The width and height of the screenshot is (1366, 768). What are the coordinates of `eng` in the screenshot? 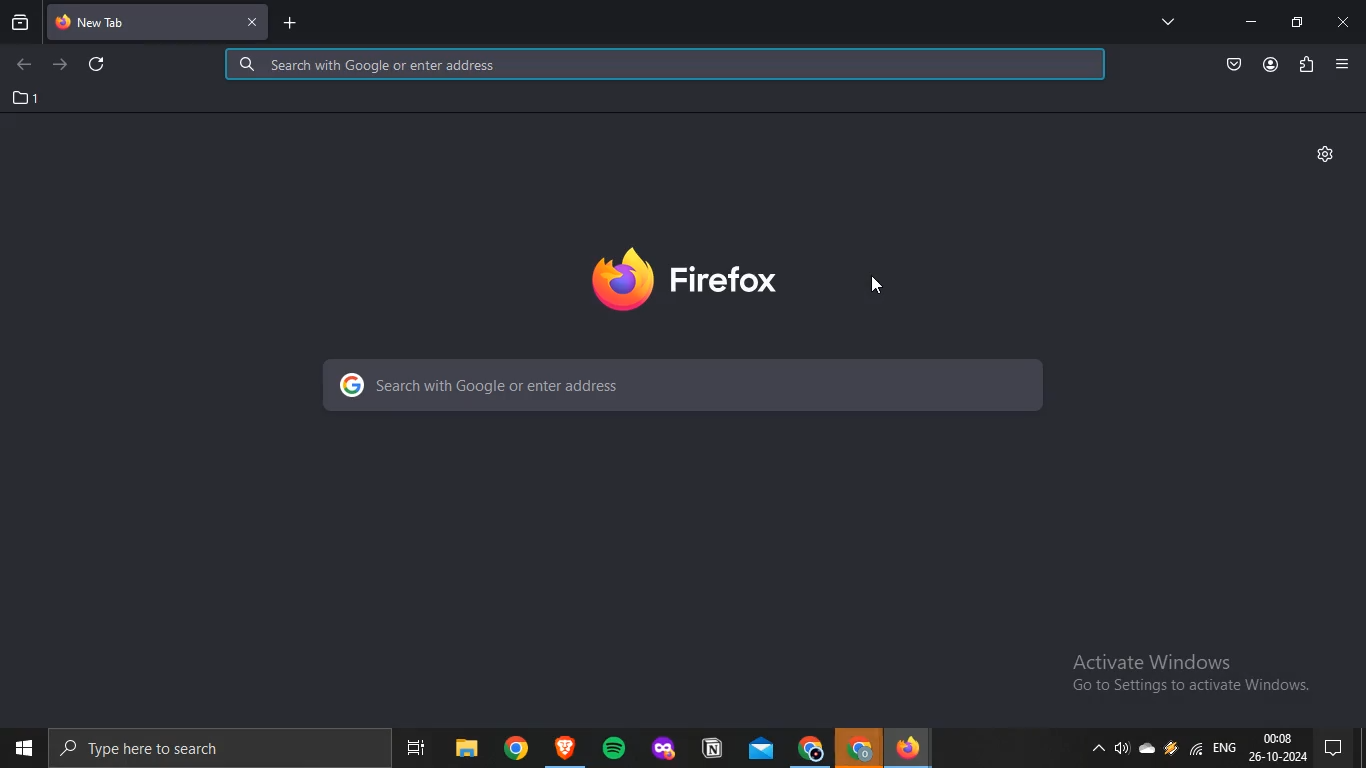 It's located at (1228, 753).